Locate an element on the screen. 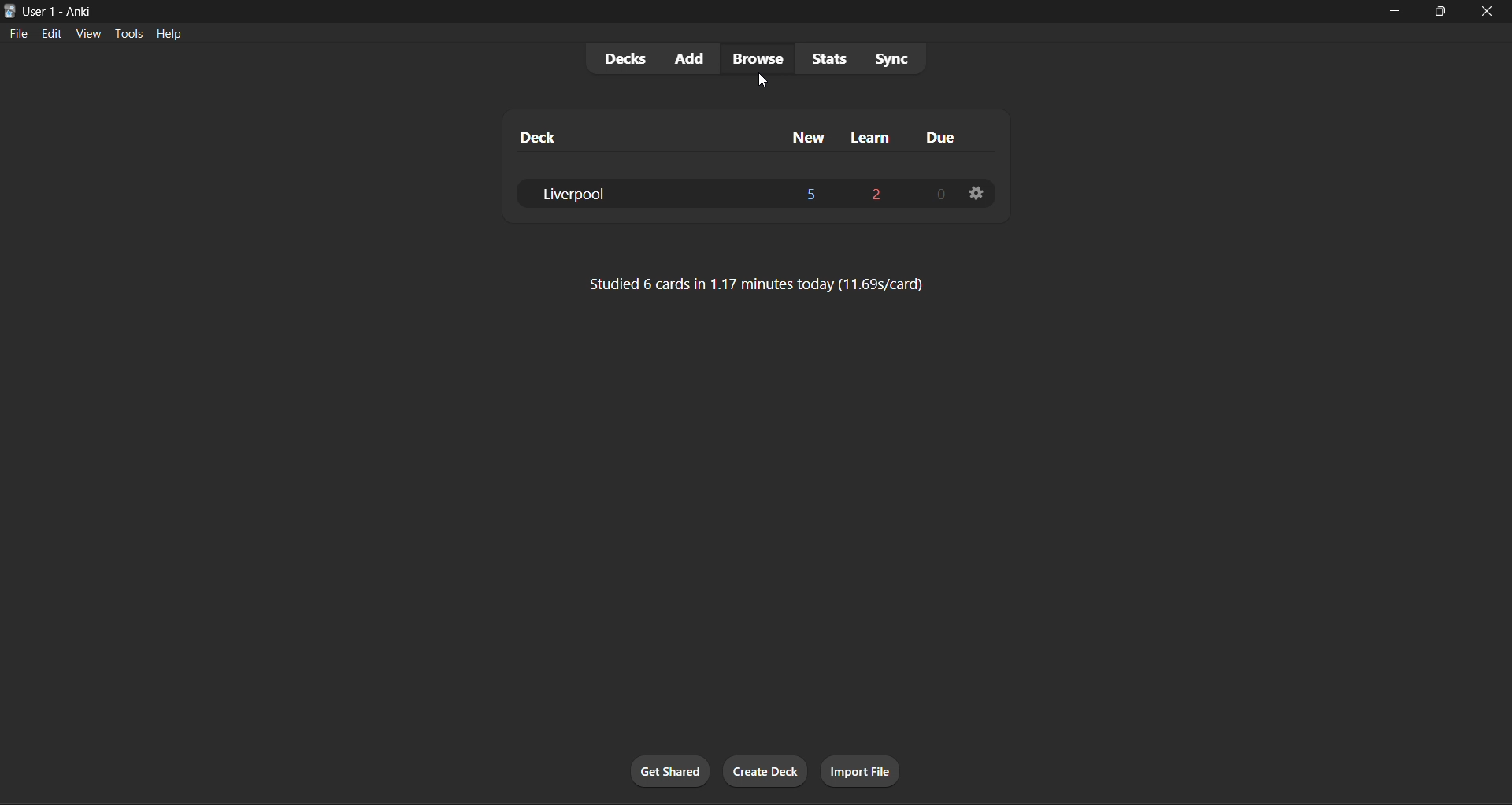 The image size is (1512, 805). new cards column is located at coordinates (802, 132).